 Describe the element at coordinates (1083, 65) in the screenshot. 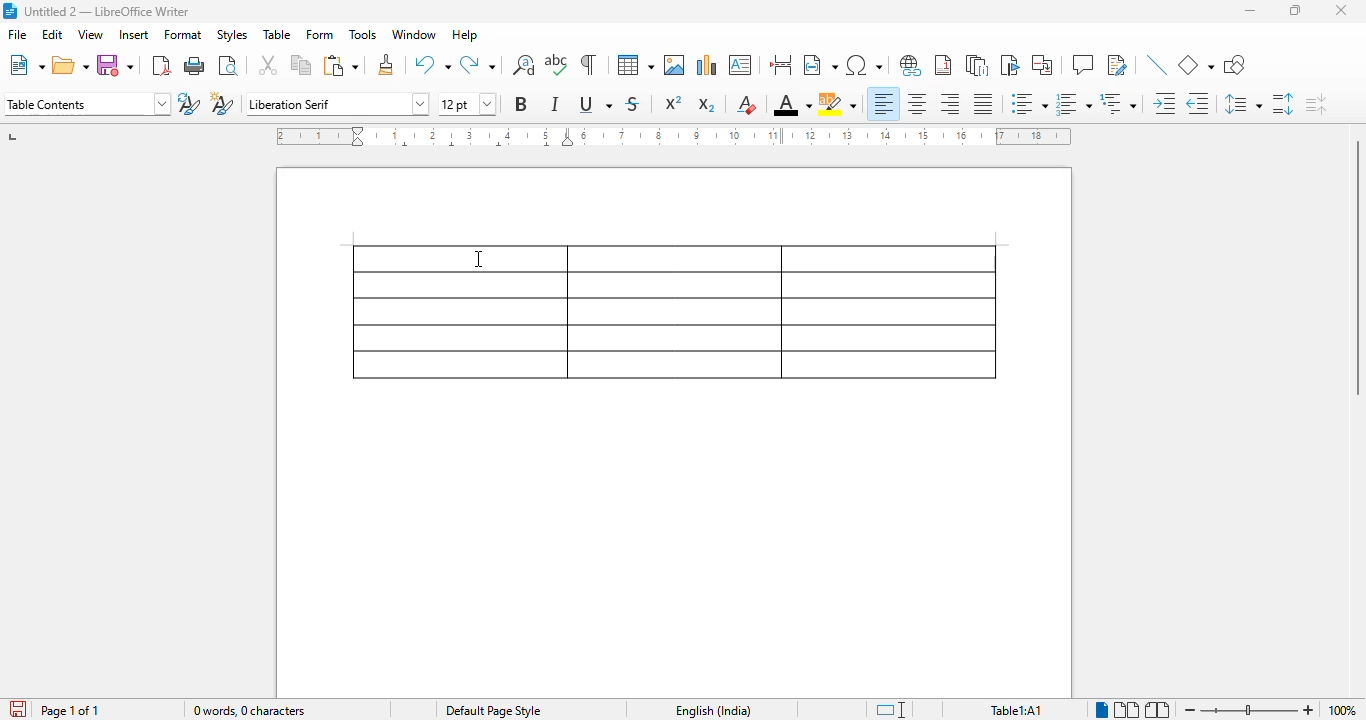

I see `insert comment` at that location.